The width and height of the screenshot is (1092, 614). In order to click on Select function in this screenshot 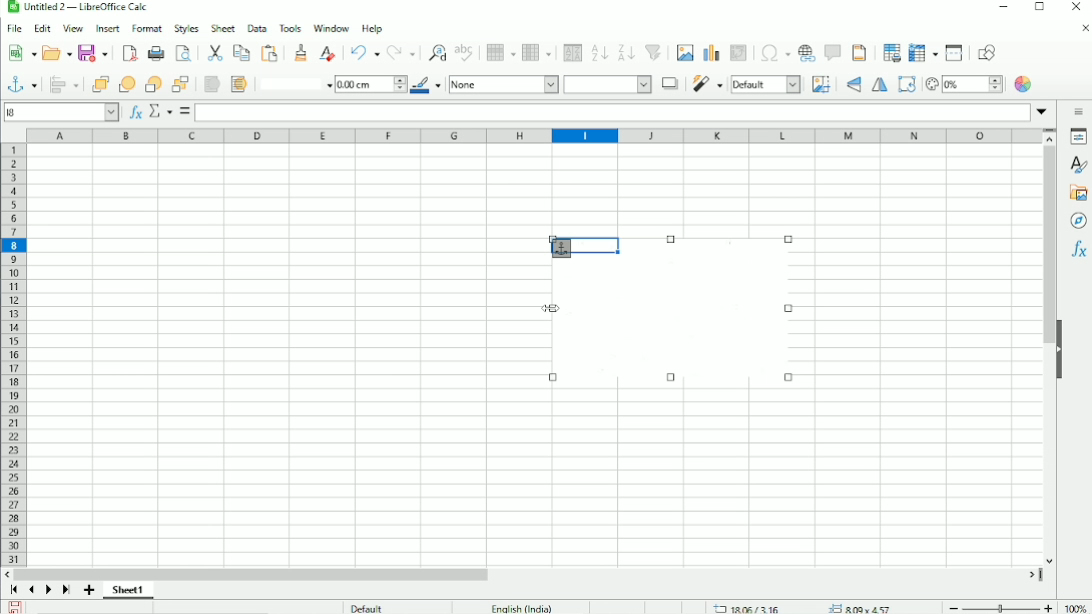, I will do `click(159, 111)`.